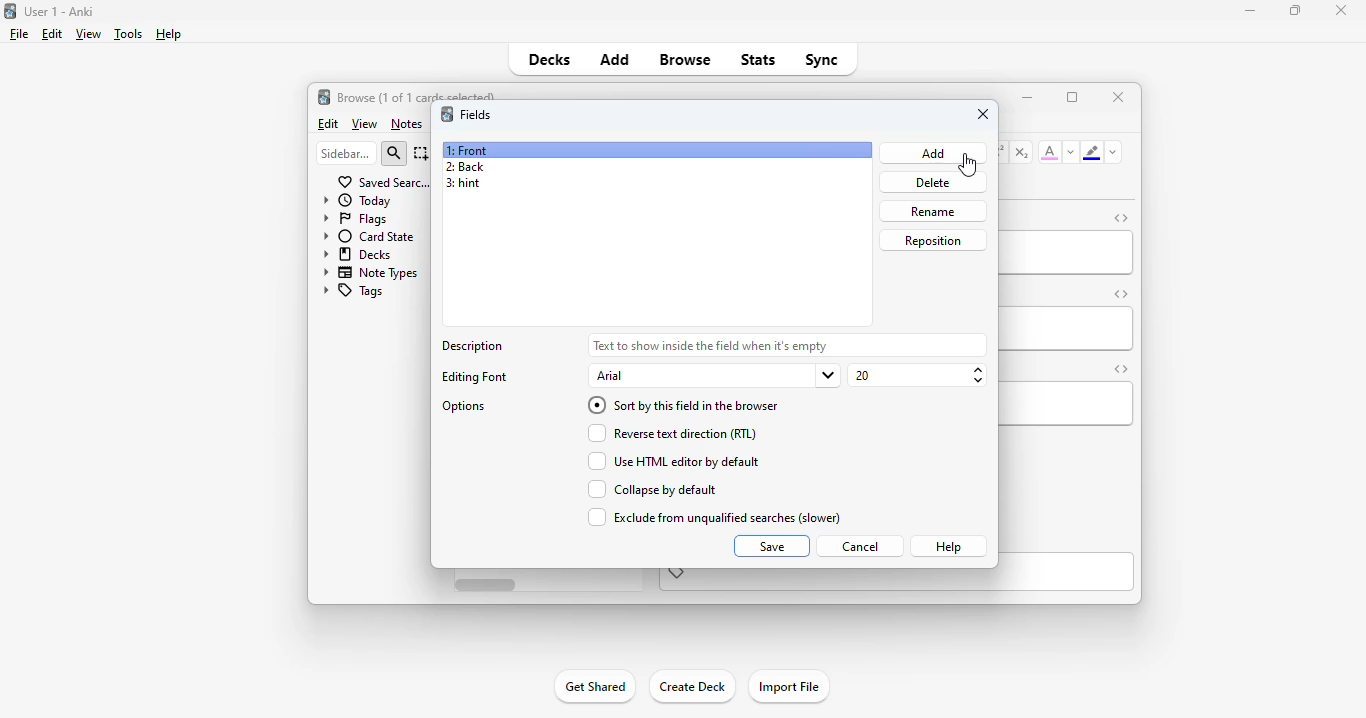  Describe the element at coordinates (712, 517) in the screenshot. I see `exclude from unqualified searches (slower)` at that location.